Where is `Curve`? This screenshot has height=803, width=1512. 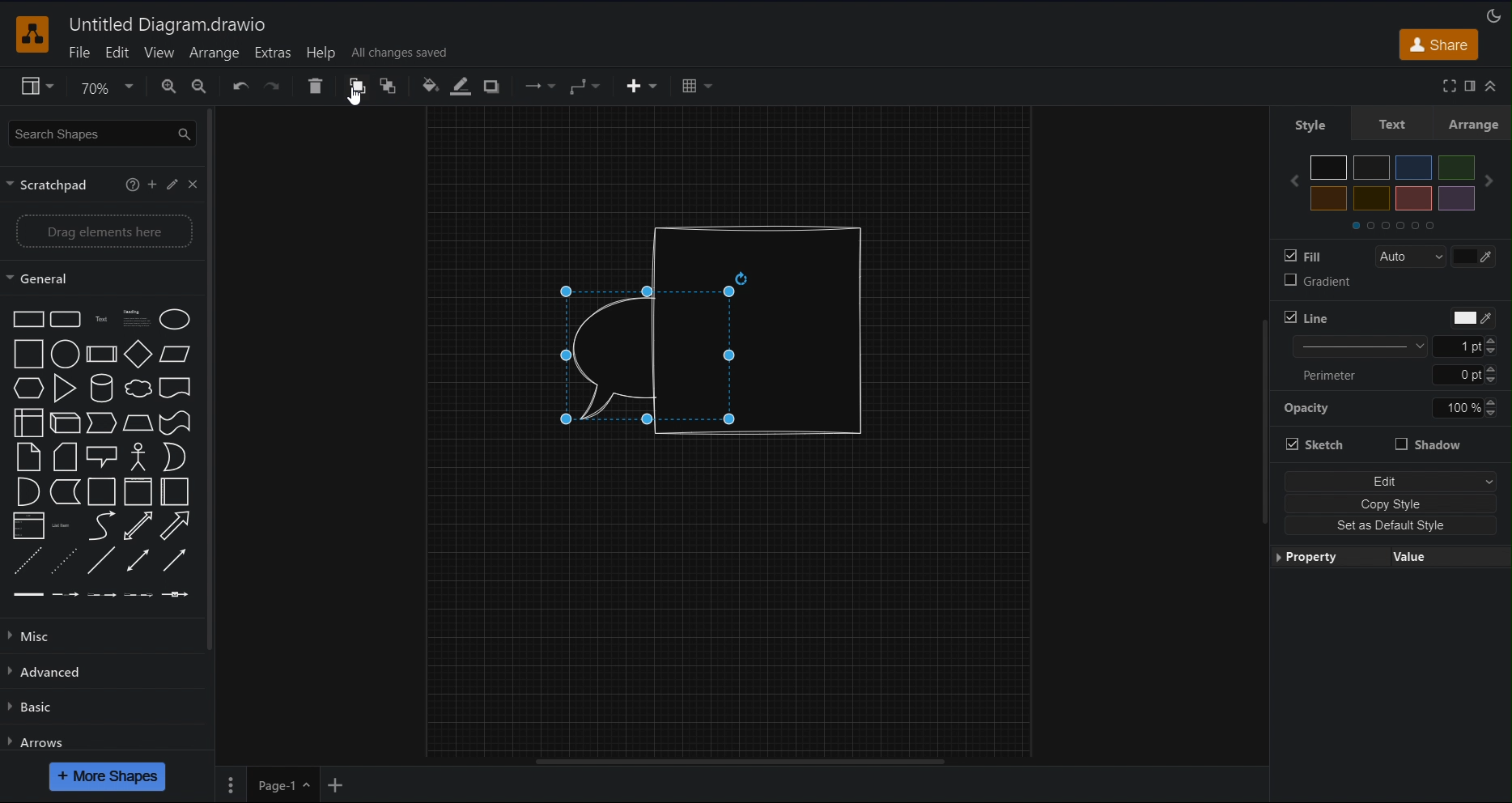 Curve is located at coordinates (103, 525).